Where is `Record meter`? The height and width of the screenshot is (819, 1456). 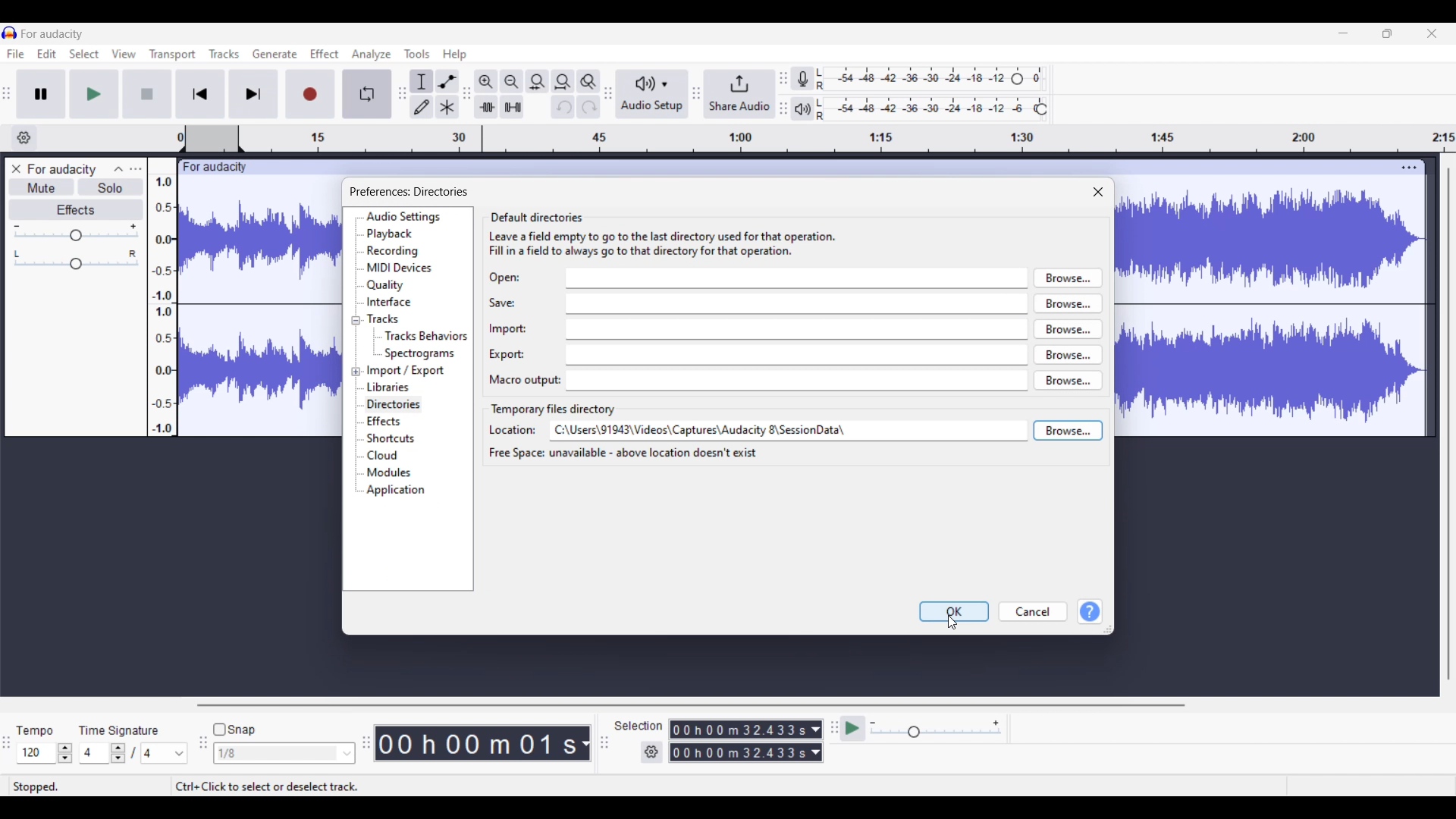 Record meter is located at coordinates (802, 78).